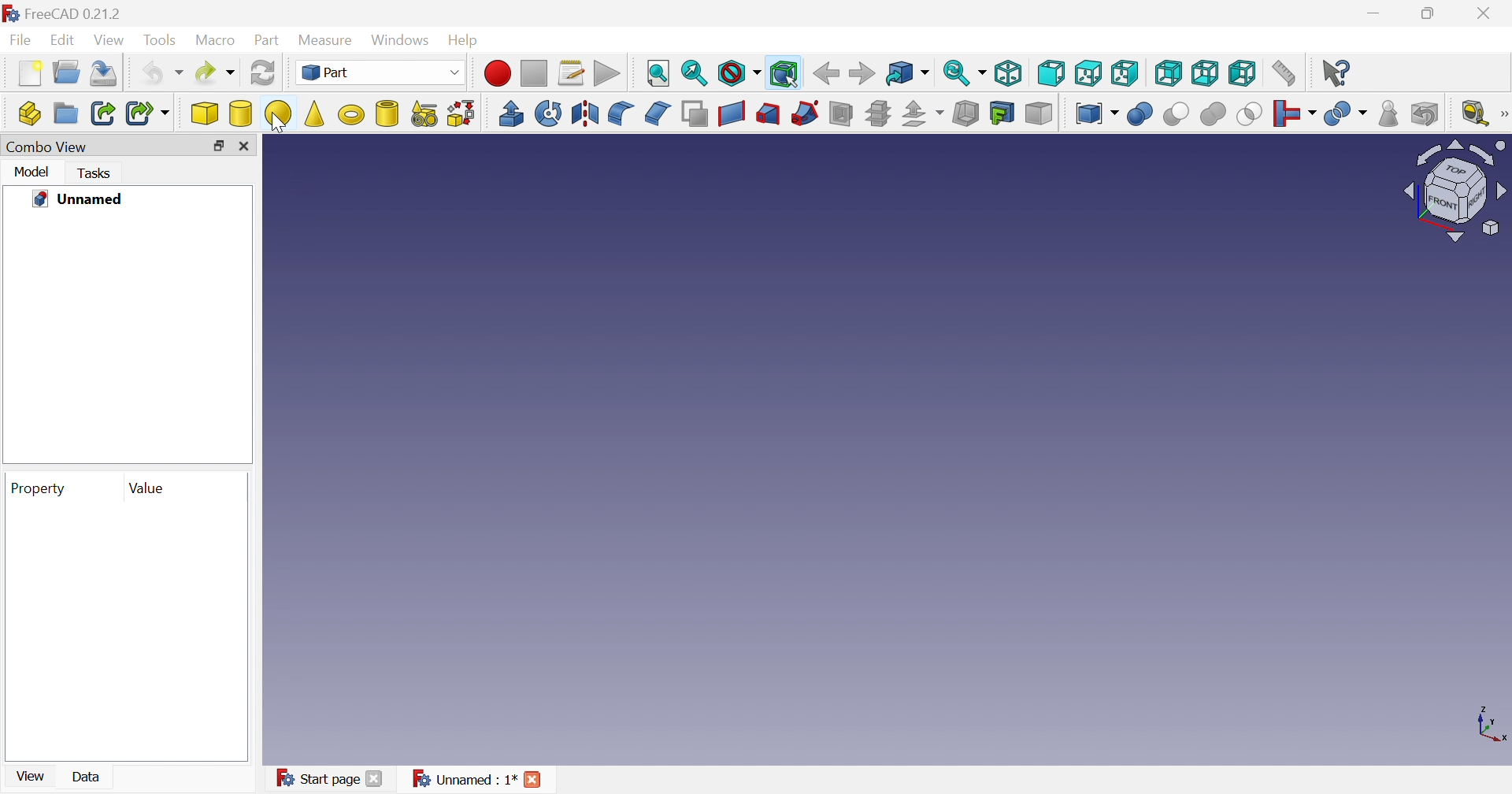  What do you see at coordinates (1127, 72) in the screenshot?
I see `Right` at bounding box center [1127, 72].